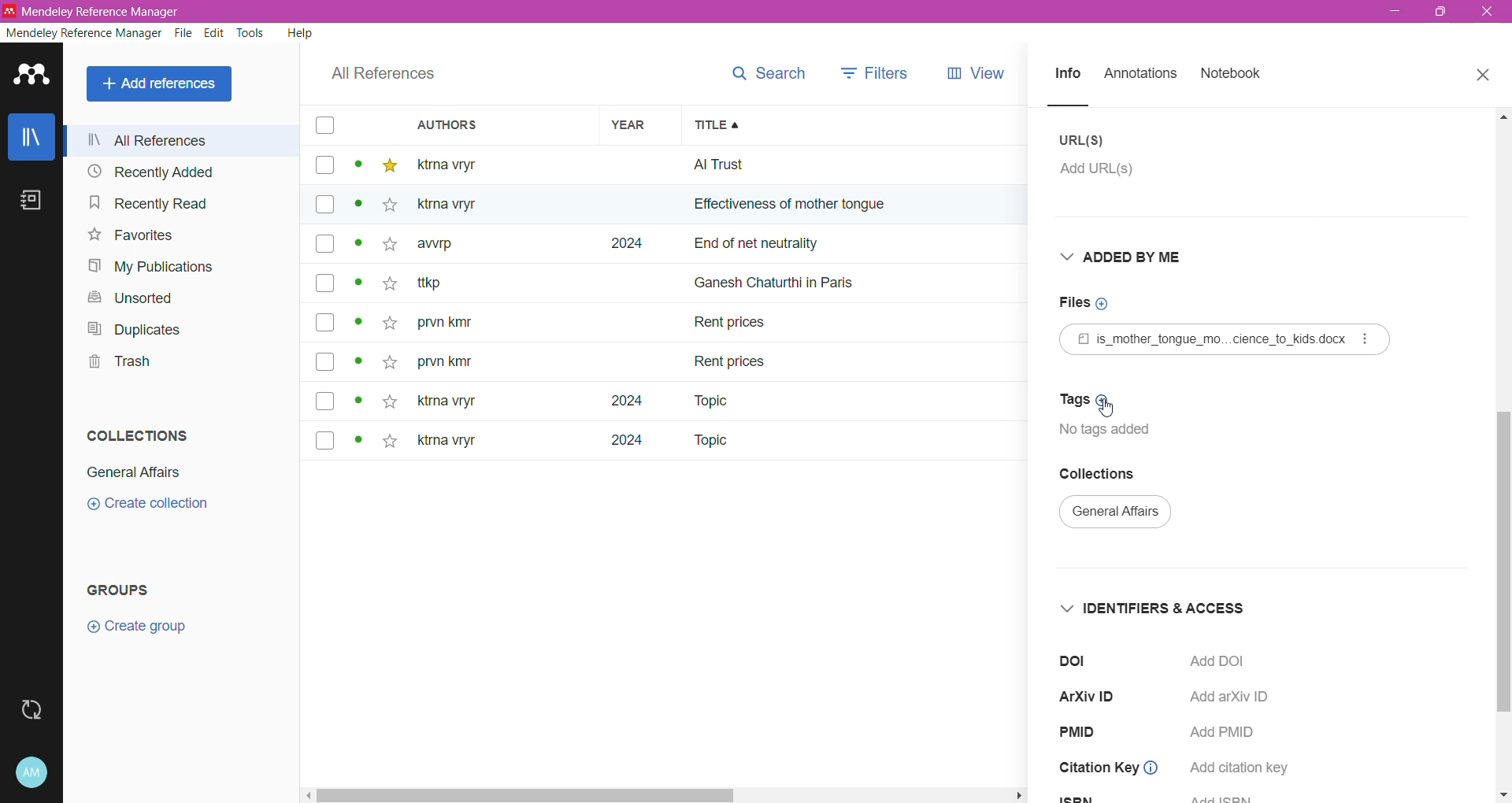  What do you see at coordinates (324, 283) in the screenshot?
I see `box` at bounding box center [324, 283].